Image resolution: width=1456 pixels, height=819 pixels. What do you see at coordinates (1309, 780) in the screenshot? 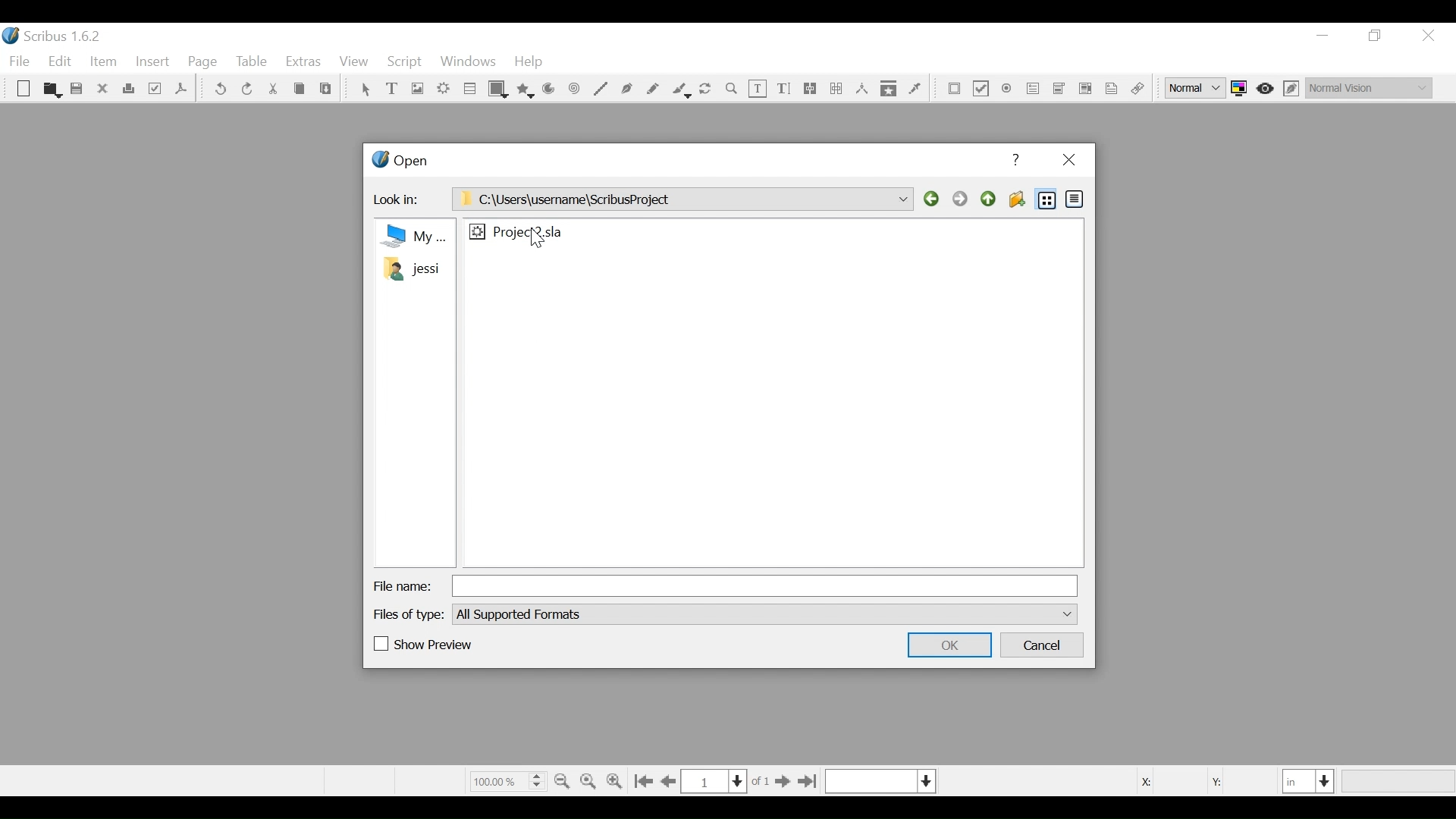
I see `Select the current unit` at bounding box center [1309, 780].